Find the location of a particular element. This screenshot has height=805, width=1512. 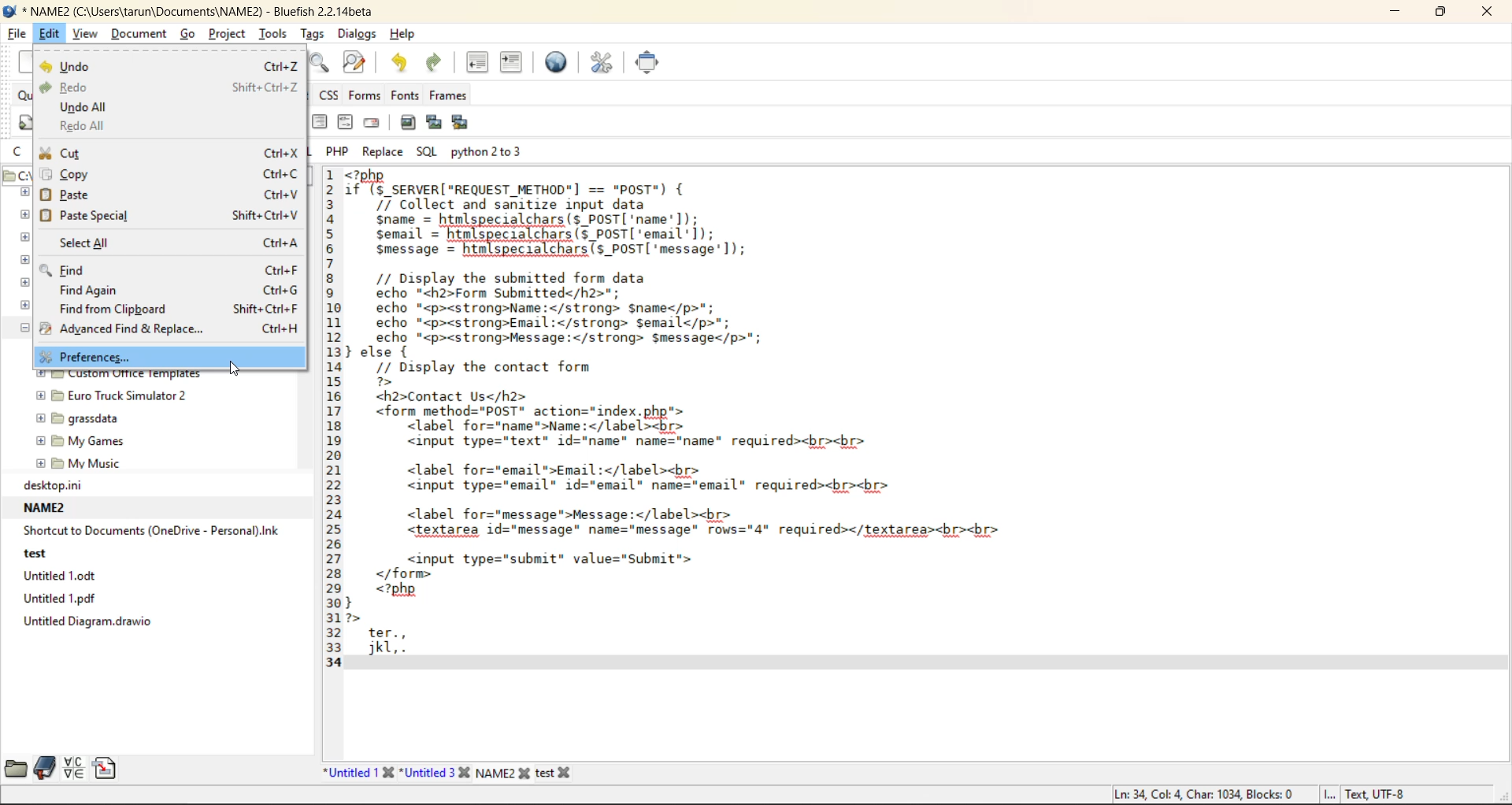

forms is located at coordinates (366, 95).